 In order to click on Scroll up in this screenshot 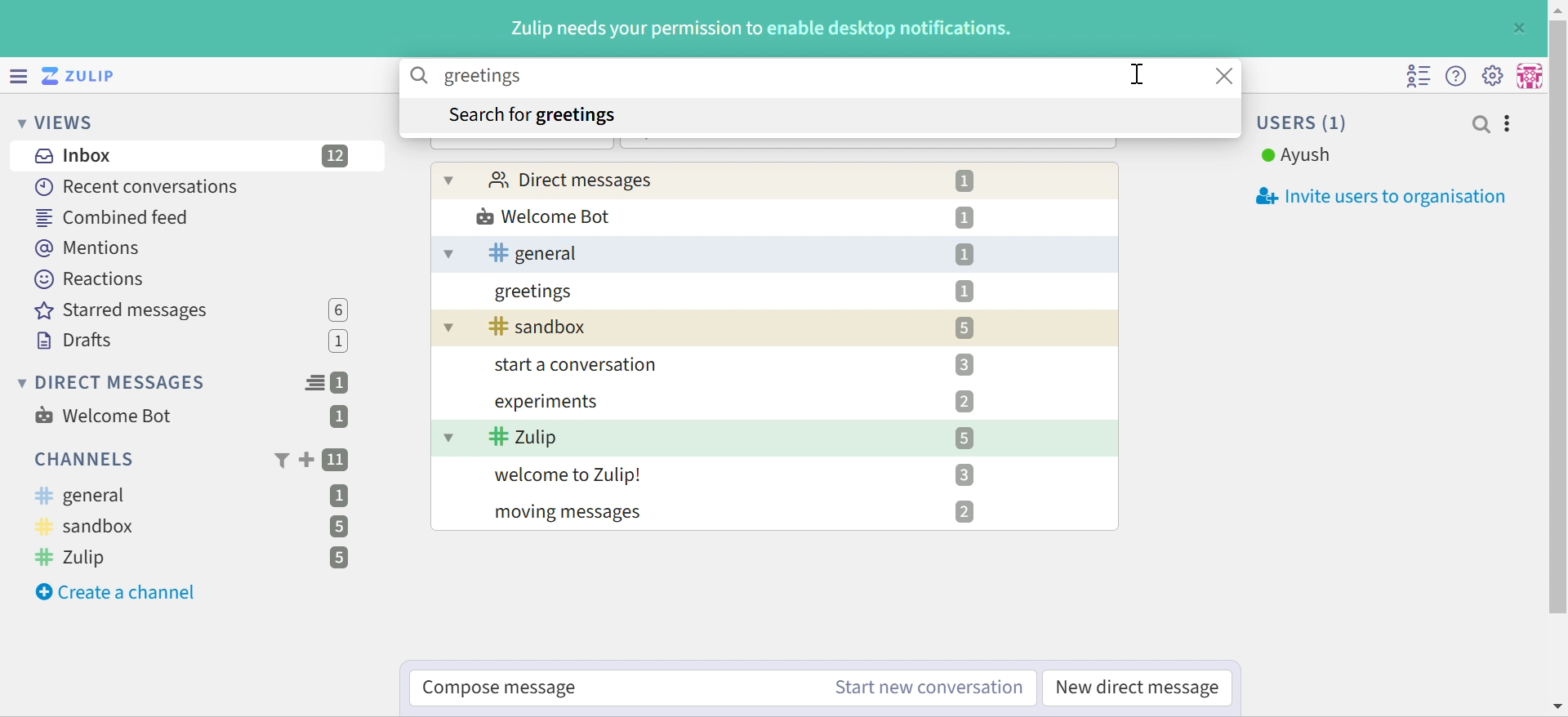, I will do `click(1557, 10)`.